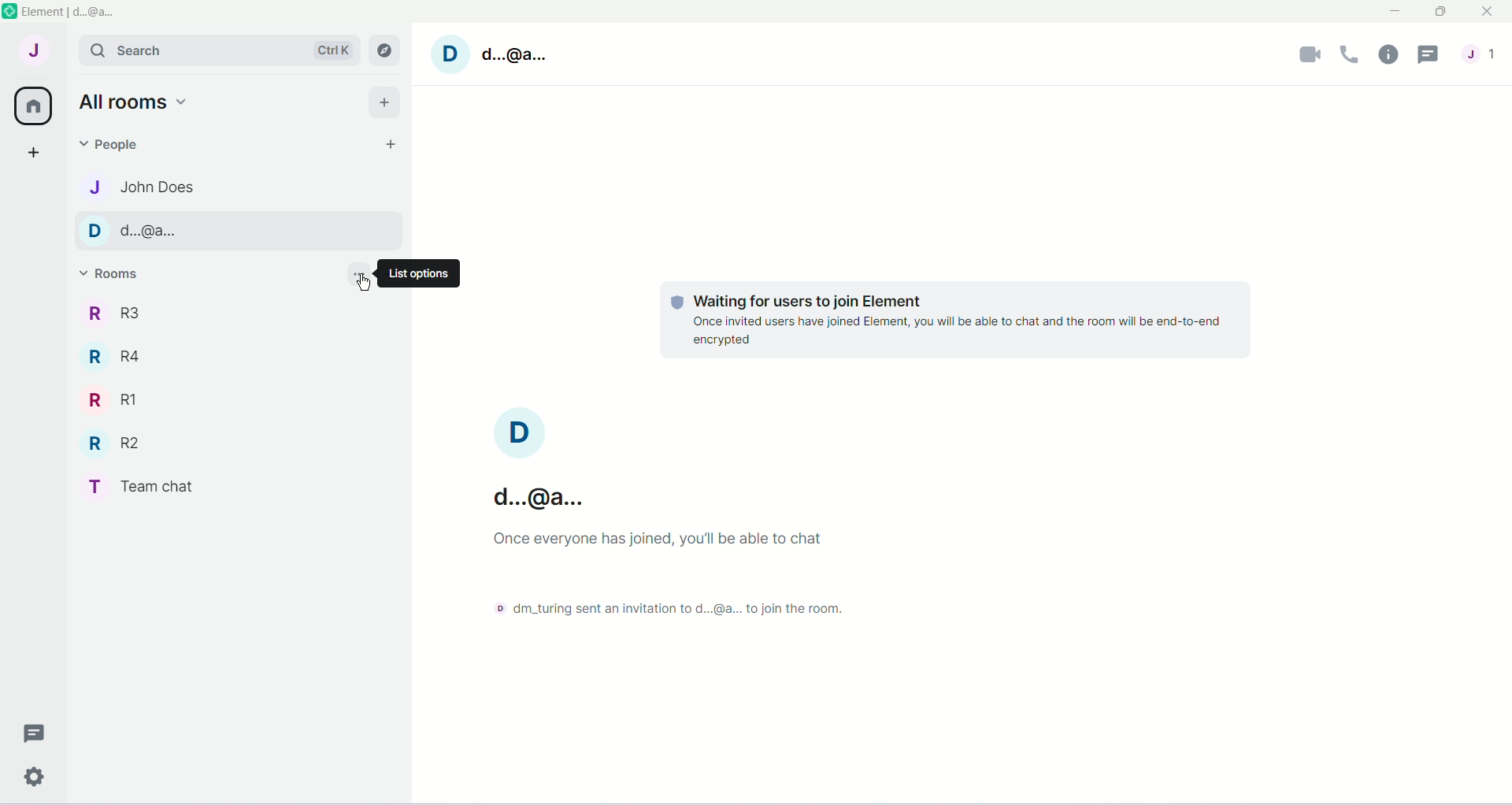 Image resolution: width=1512 pixels, height=805 pixels. What do you see at coordinates (117, 144) in the screenshot?
I see `People` at bounding box center [117, 144].